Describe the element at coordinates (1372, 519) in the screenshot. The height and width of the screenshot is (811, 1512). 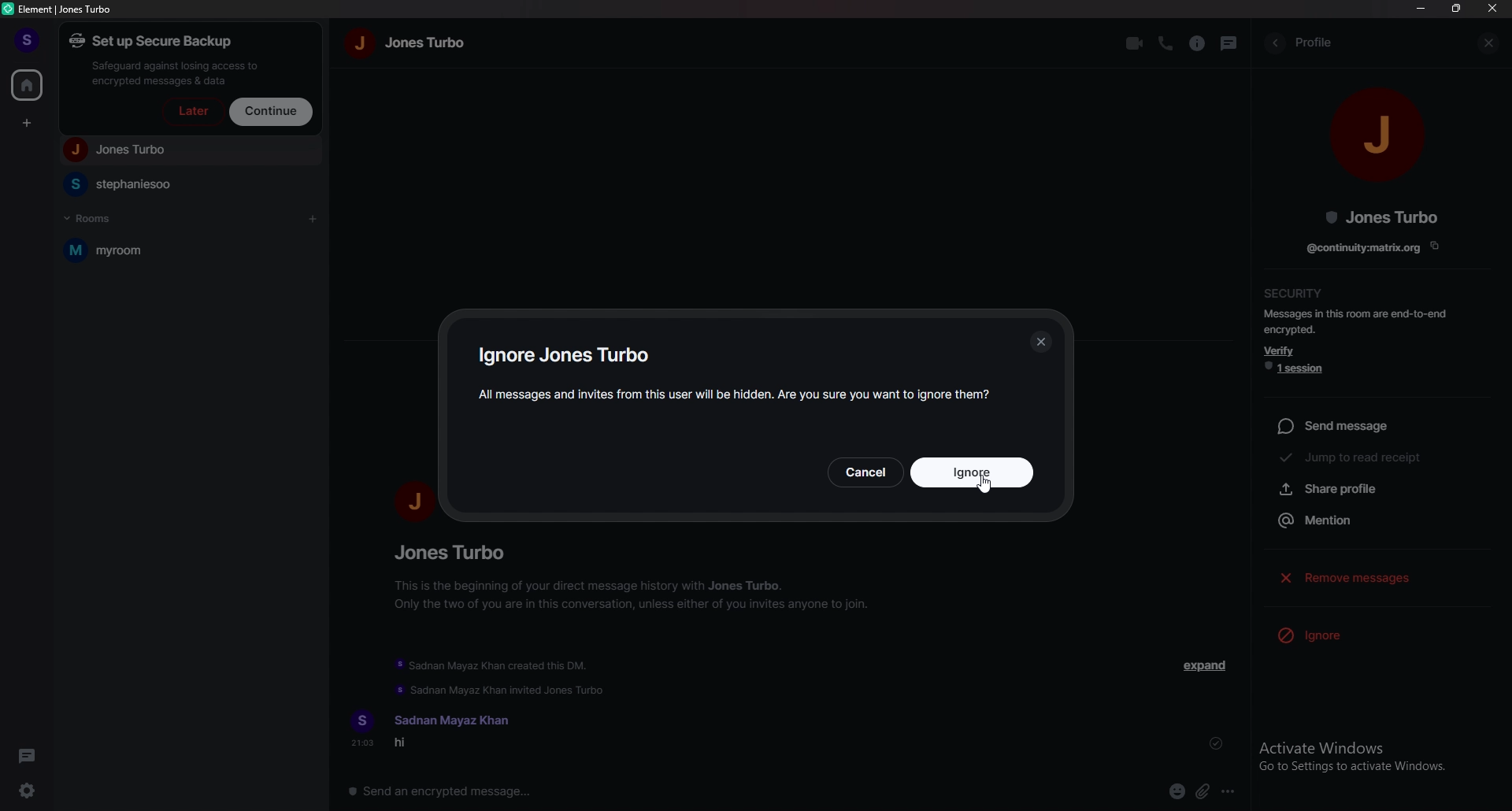
I see `mention` at that location.